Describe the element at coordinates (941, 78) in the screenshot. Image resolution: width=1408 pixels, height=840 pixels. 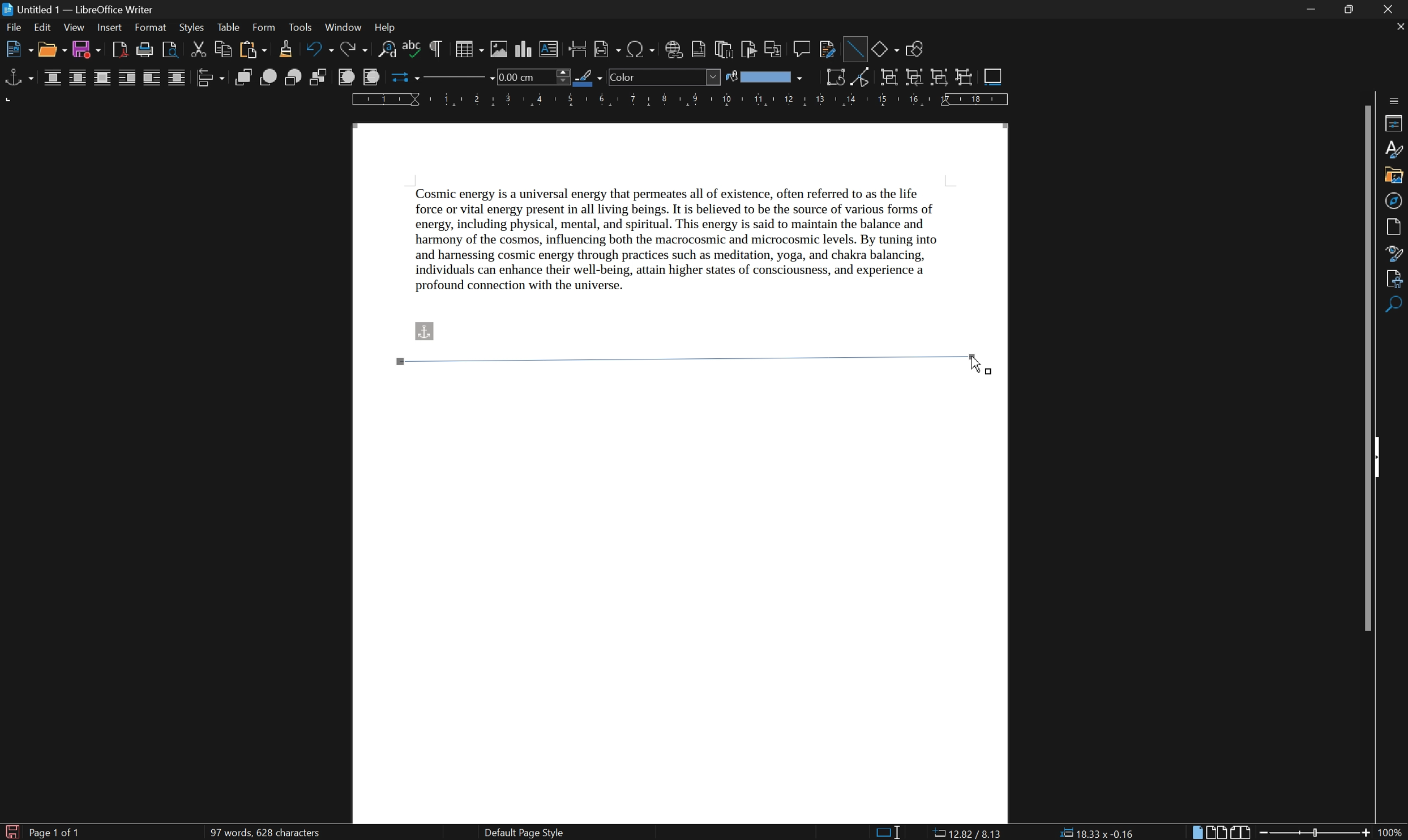
I see `exit group` at that location.